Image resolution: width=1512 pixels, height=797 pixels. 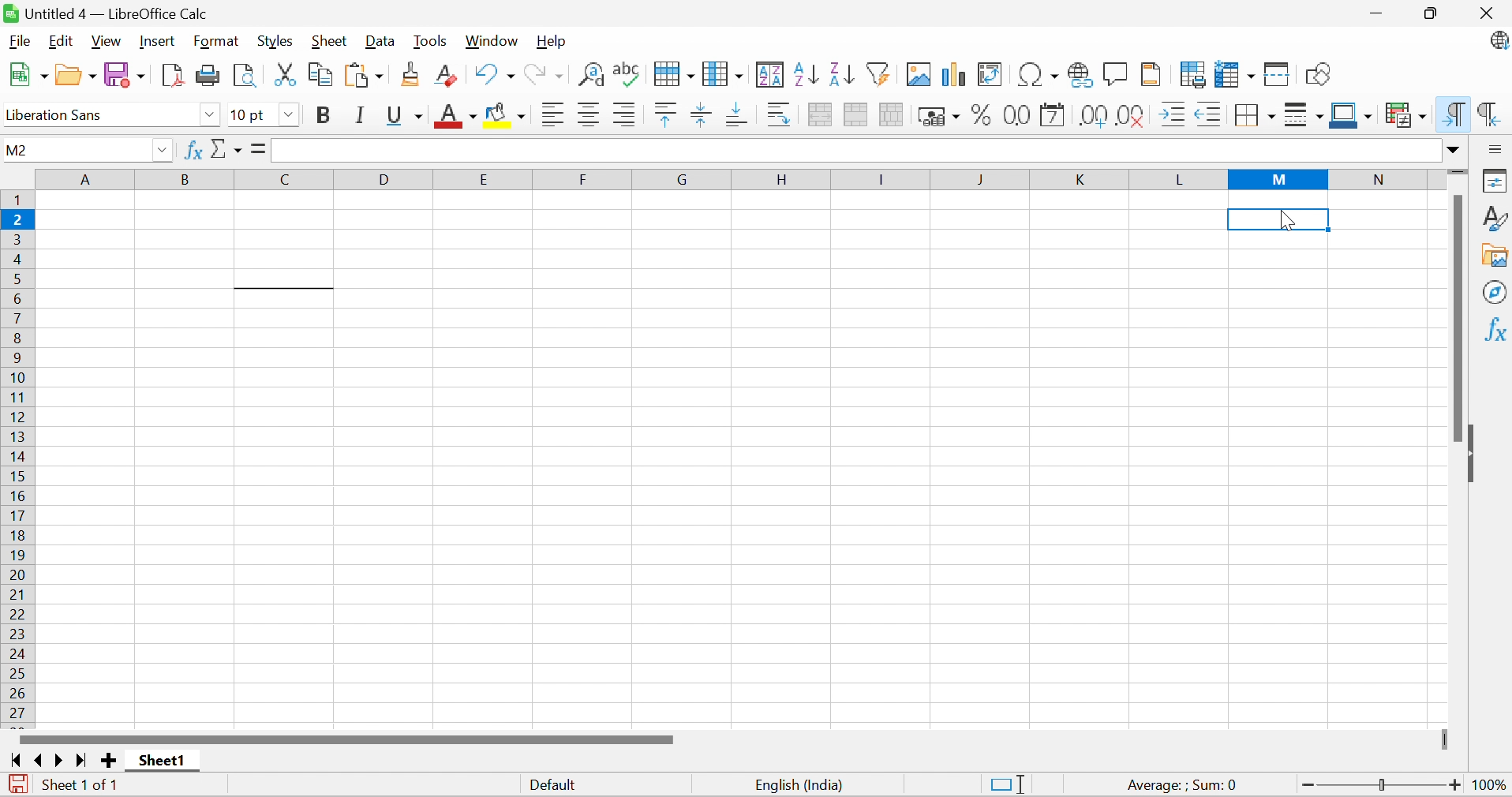 I want to click on Scroll to next sheet, so click(x=60, y=760).